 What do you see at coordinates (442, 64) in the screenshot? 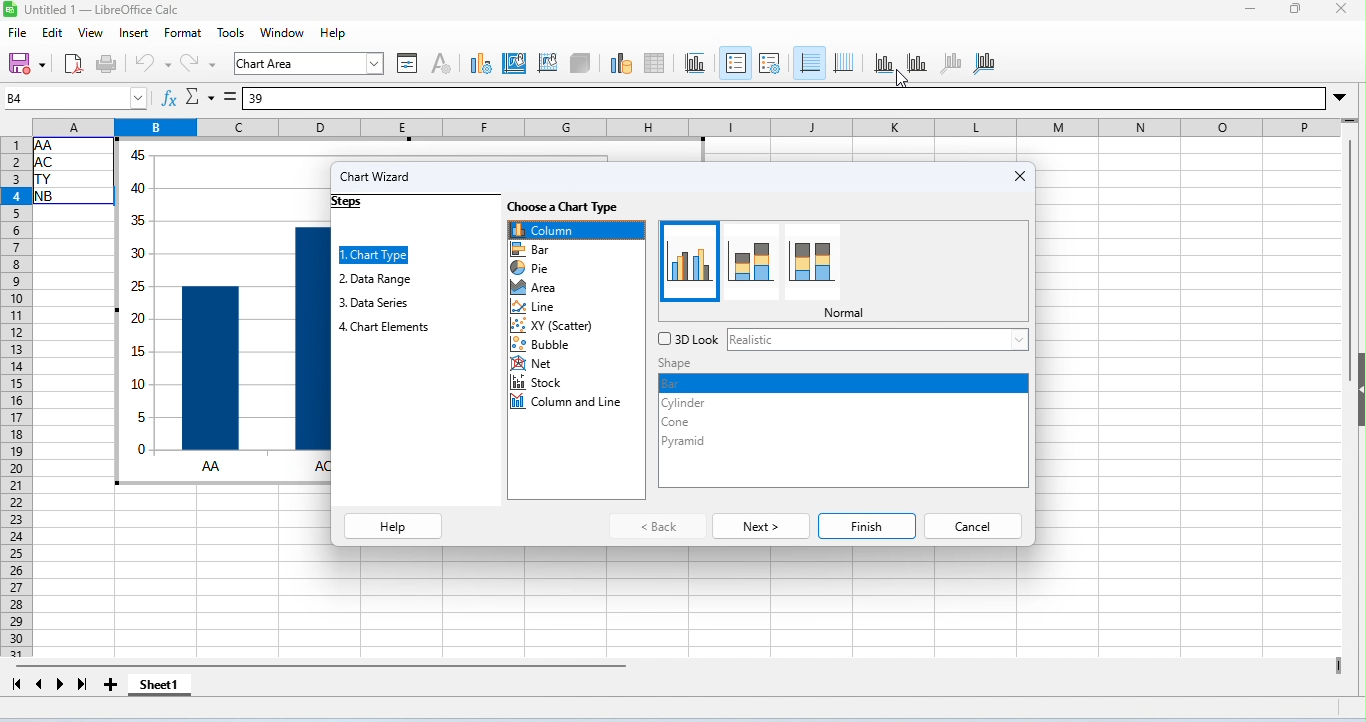
I see `character` at bounding box center [442, 64].